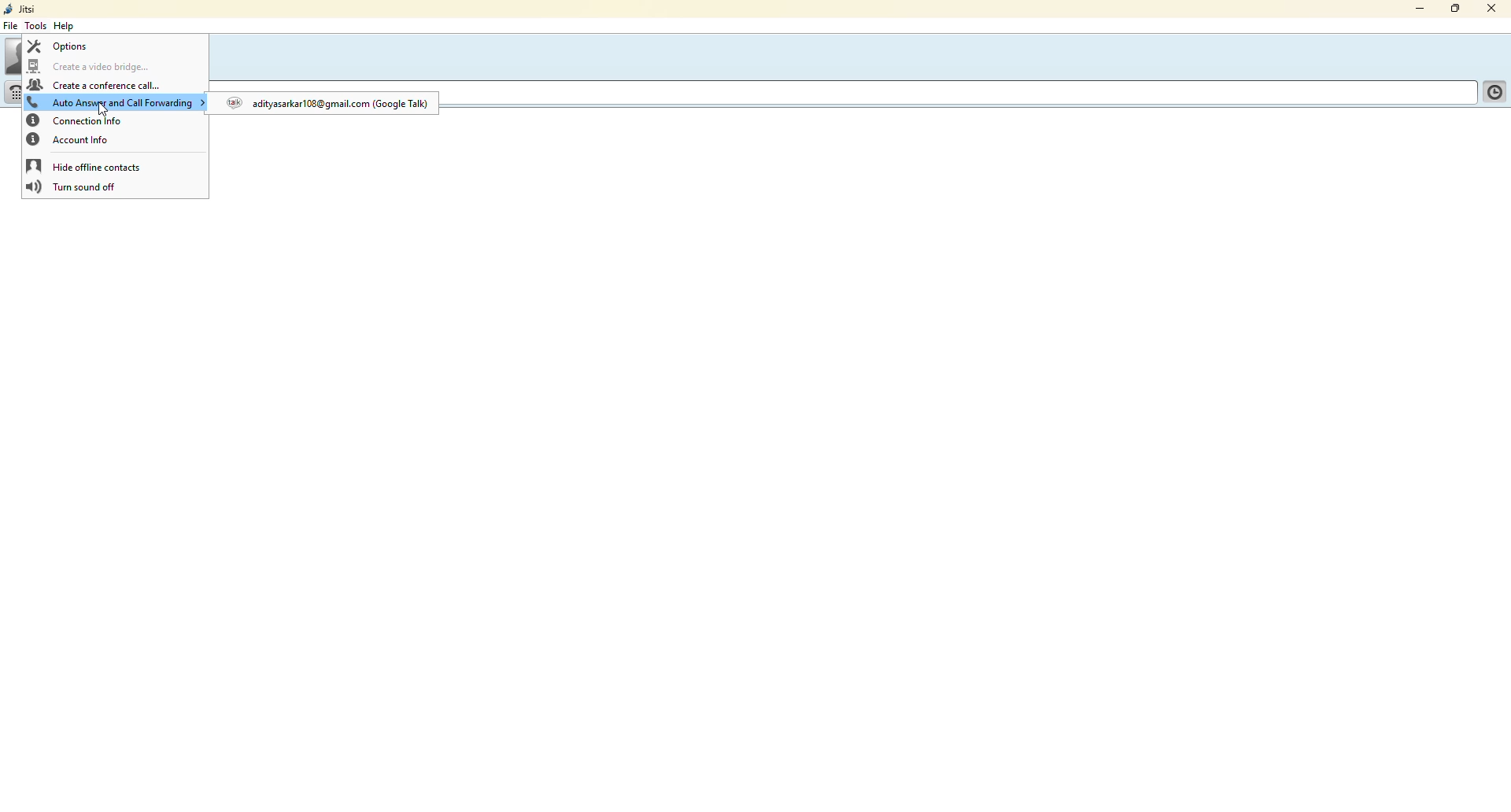 The image size is (1511, 812). Describe the element at coordinates (74, 186) in the screenshot. I see `turn sound off` at that location.